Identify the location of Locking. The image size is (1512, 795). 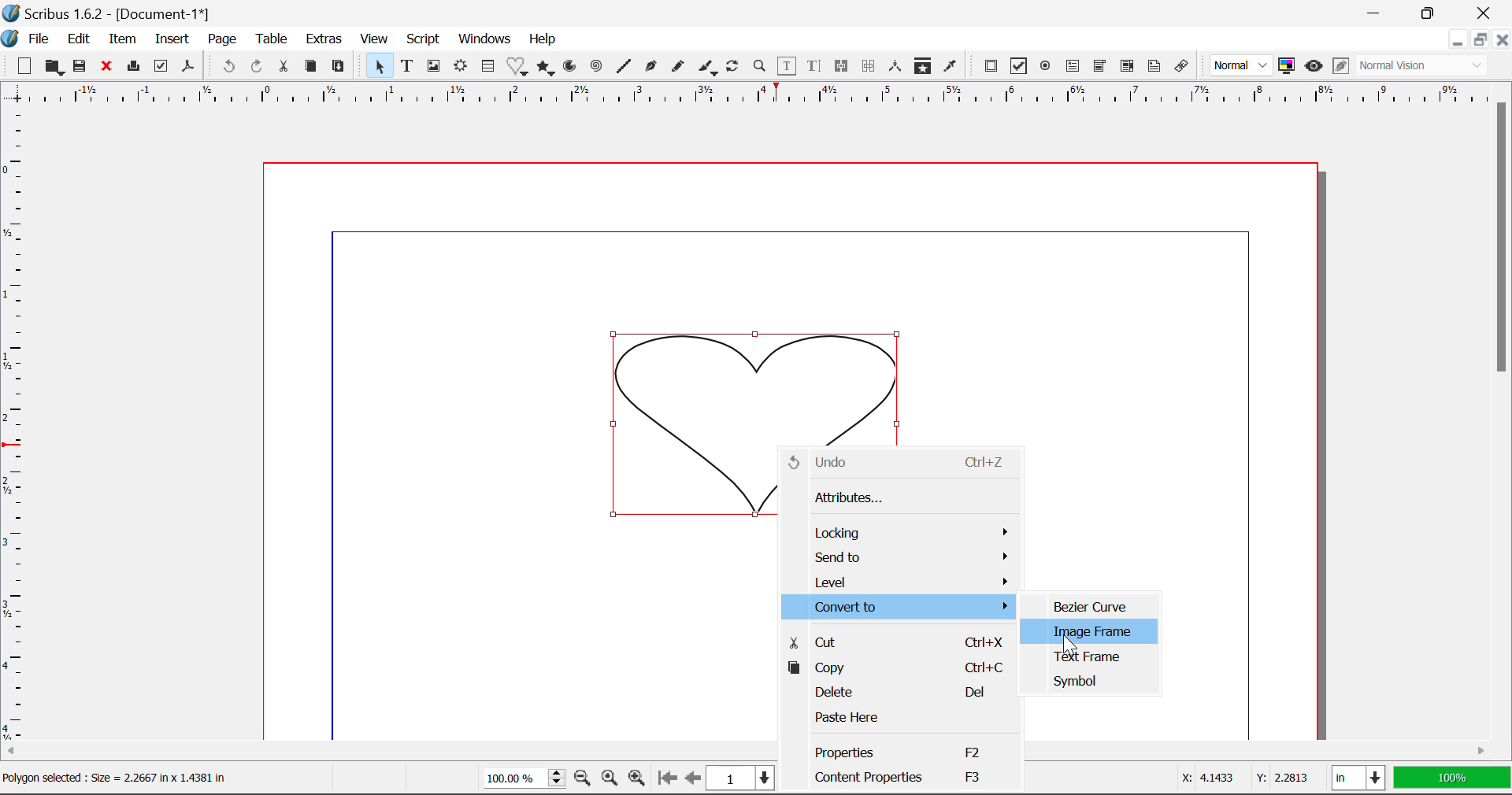
(903, 533).